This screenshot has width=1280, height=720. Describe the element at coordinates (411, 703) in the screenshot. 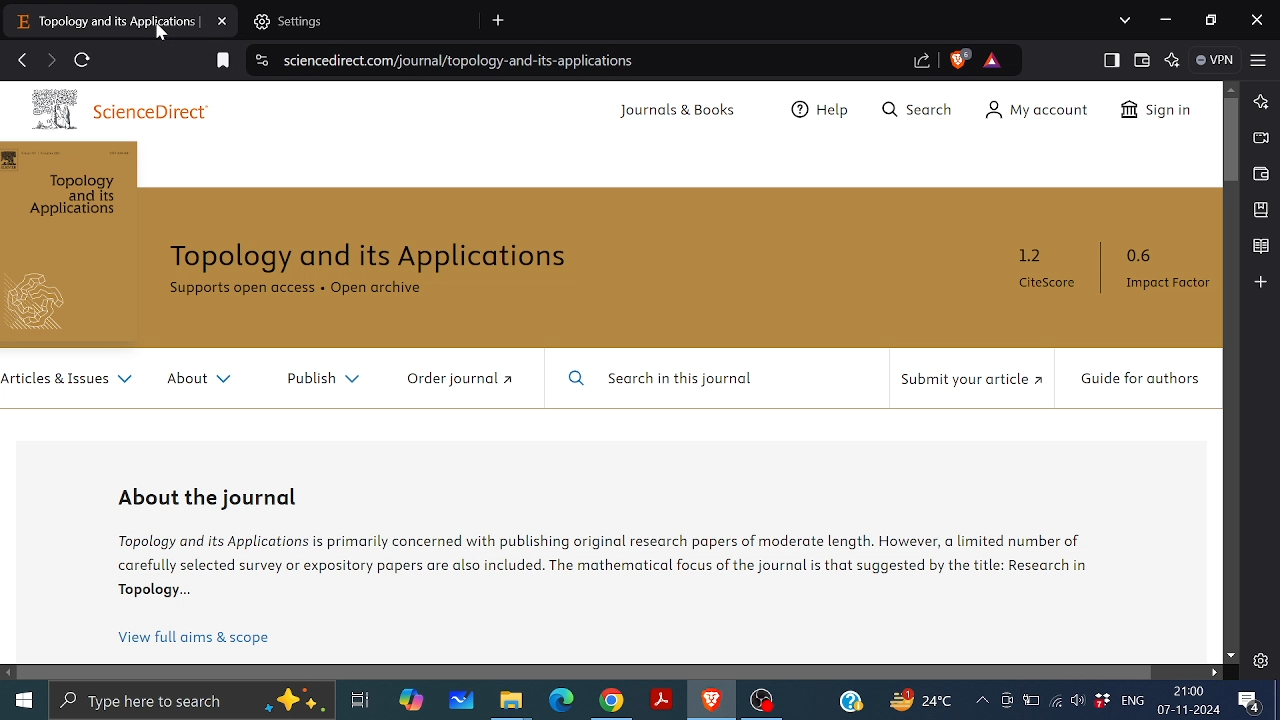

I see `Copilot` at that location.